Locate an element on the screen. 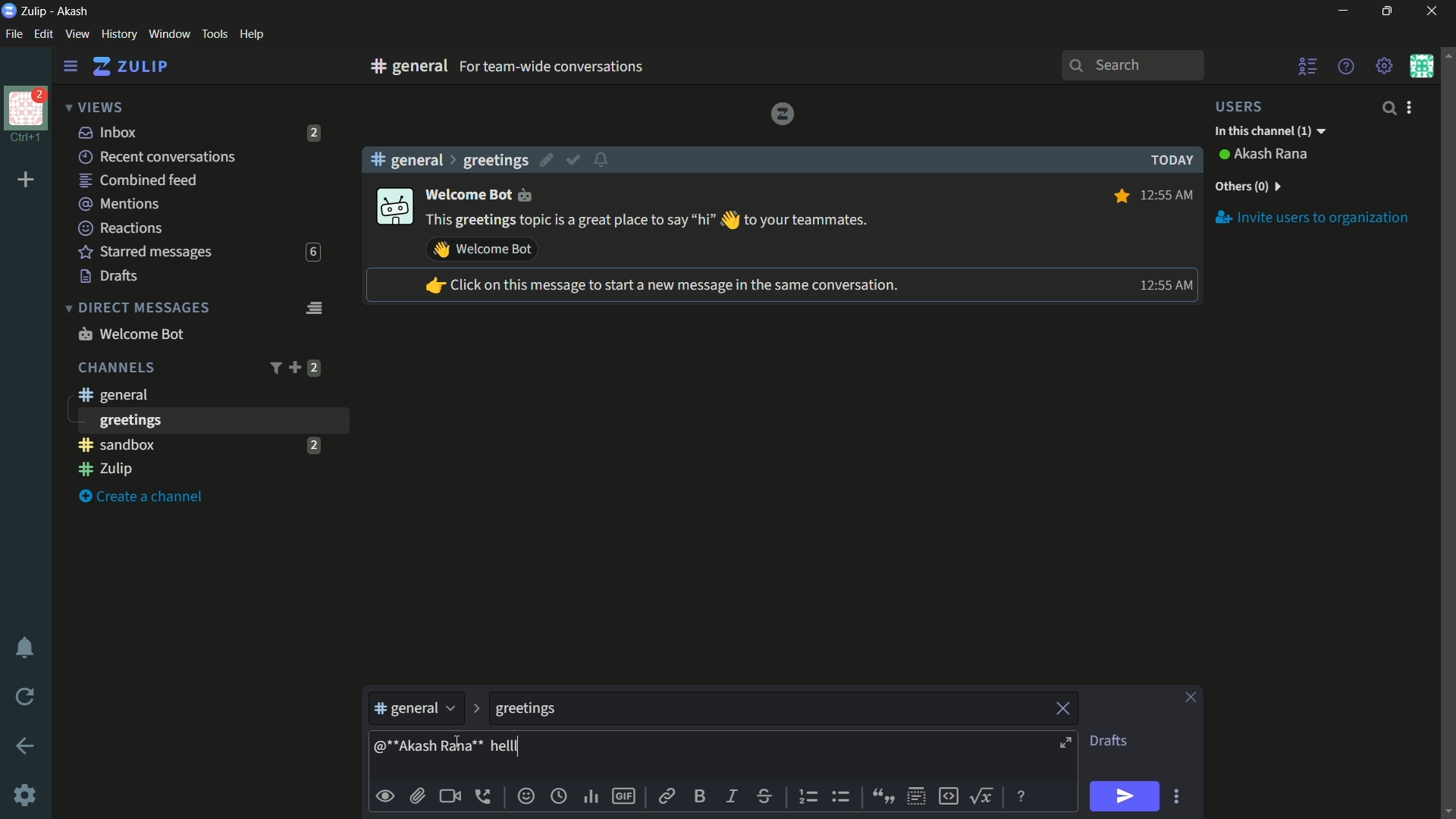 This screenshot has height=819, width=1456. invite users to organization is located at coordinates (1313, 217).